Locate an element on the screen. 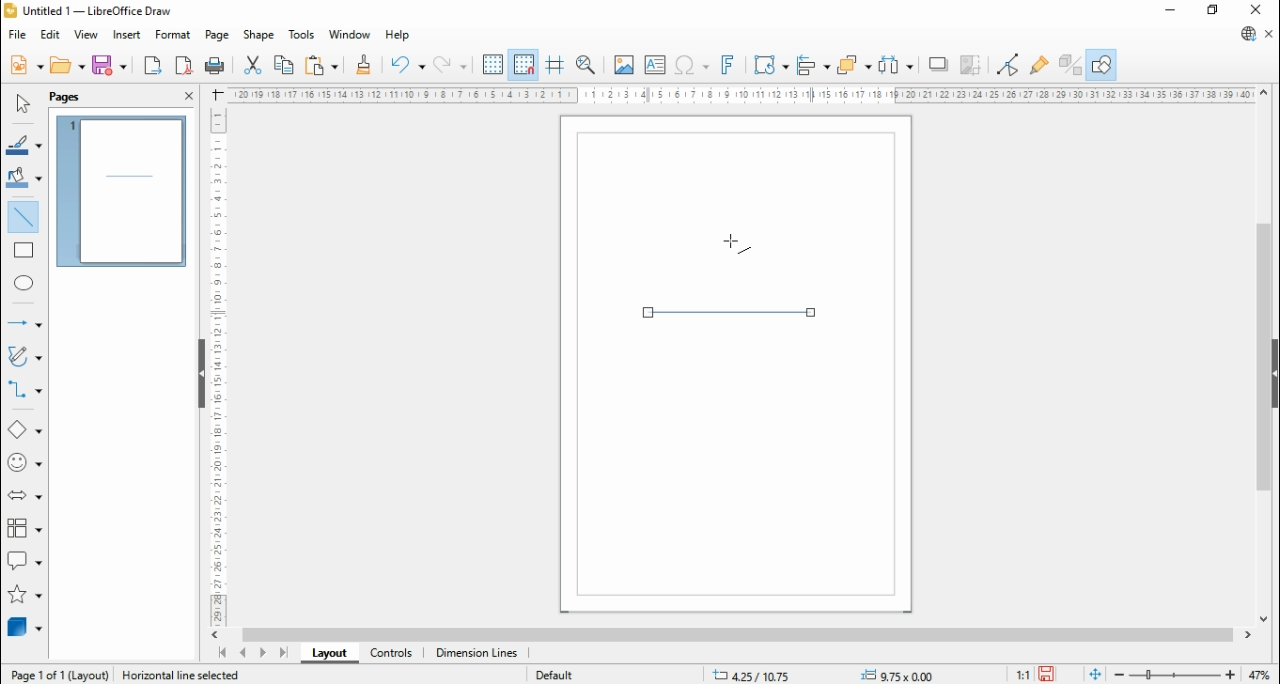 This screenshot has width=1280, height=684. close window is located at coordinates (1253, 10).